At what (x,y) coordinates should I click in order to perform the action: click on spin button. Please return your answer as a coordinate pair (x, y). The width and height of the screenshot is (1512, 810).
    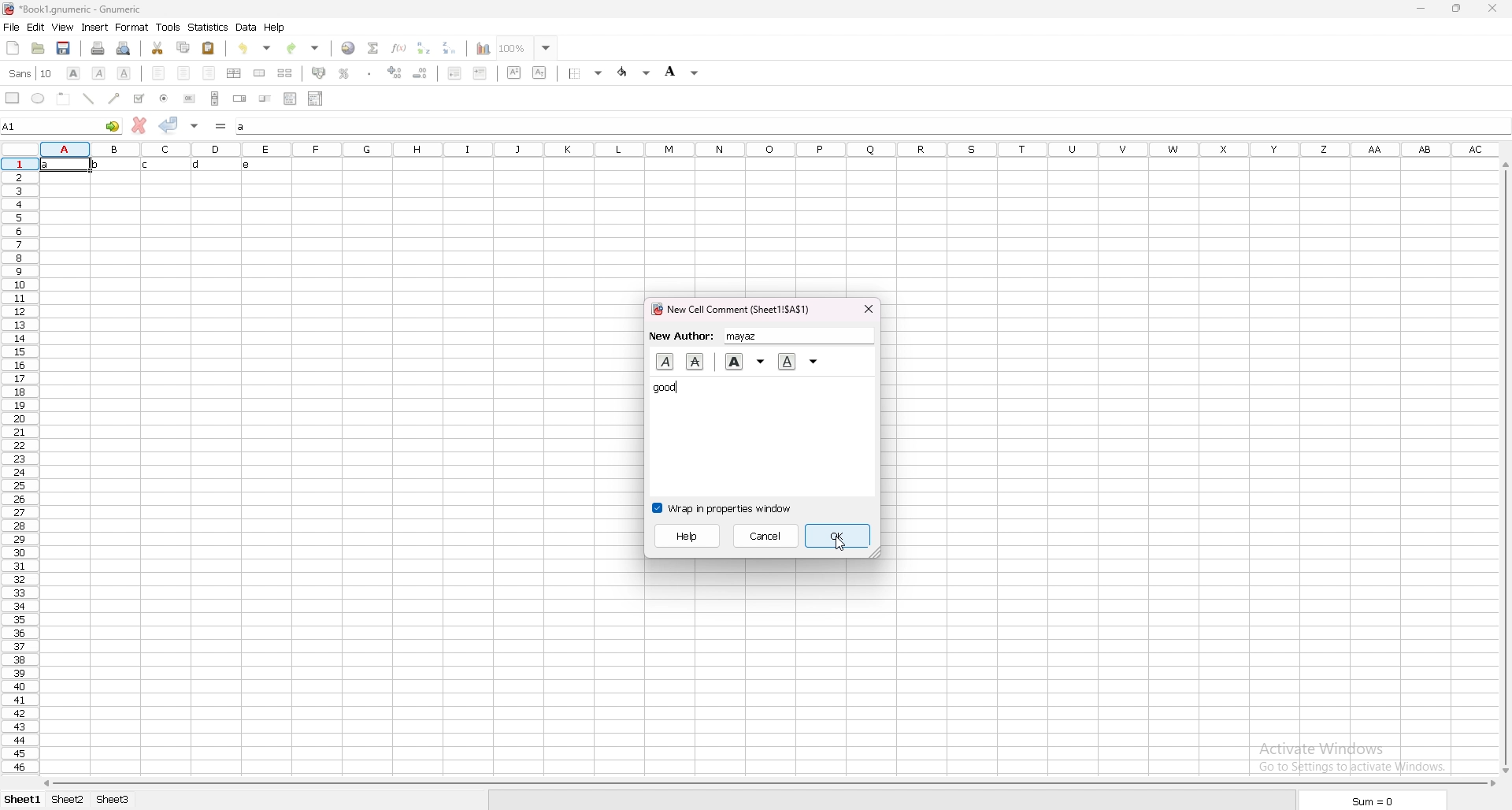
    Looking at the image, I should click on (239, 98).